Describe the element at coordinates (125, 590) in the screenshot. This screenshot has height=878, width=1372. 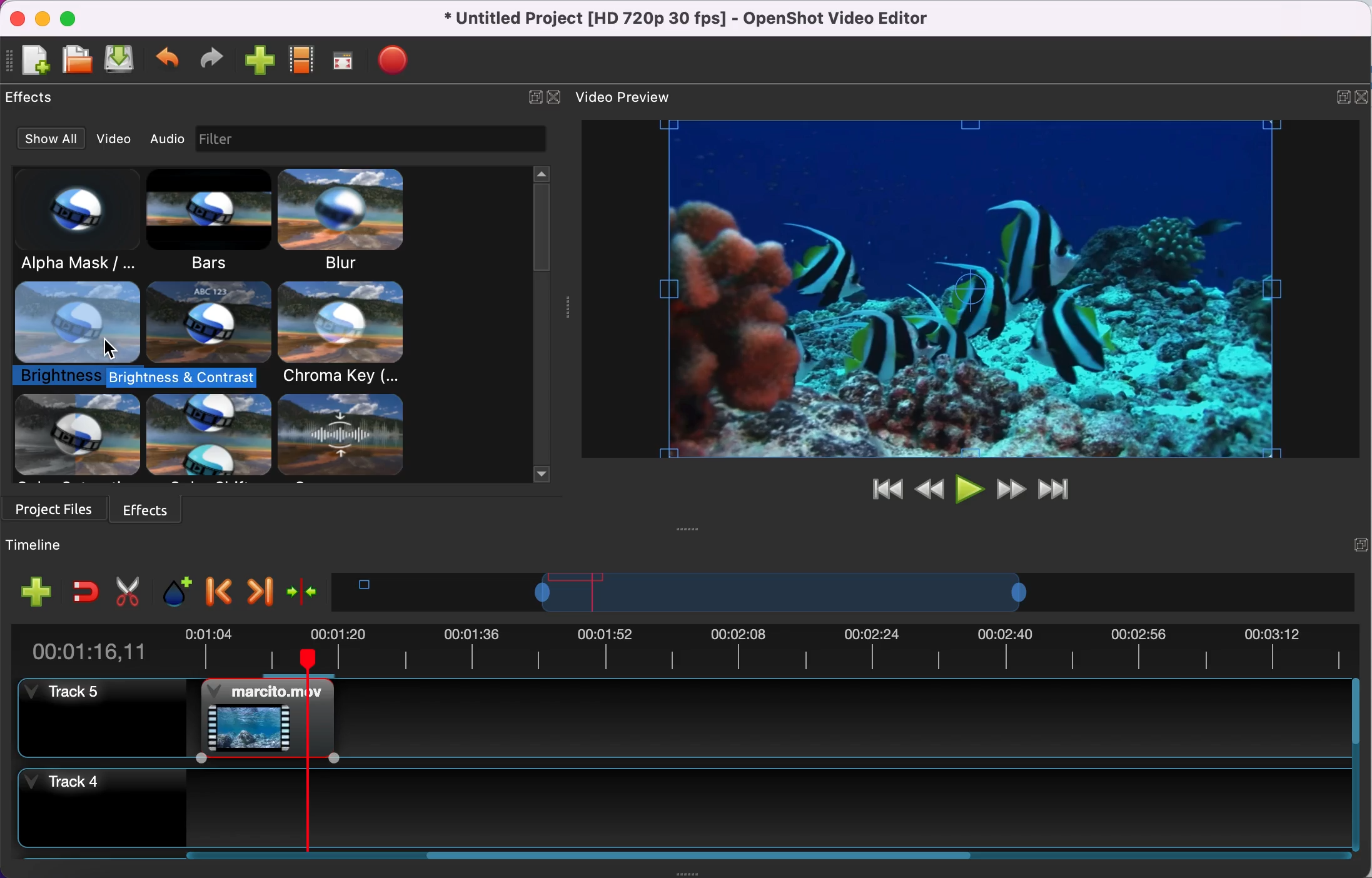
I see `cut` at that location.